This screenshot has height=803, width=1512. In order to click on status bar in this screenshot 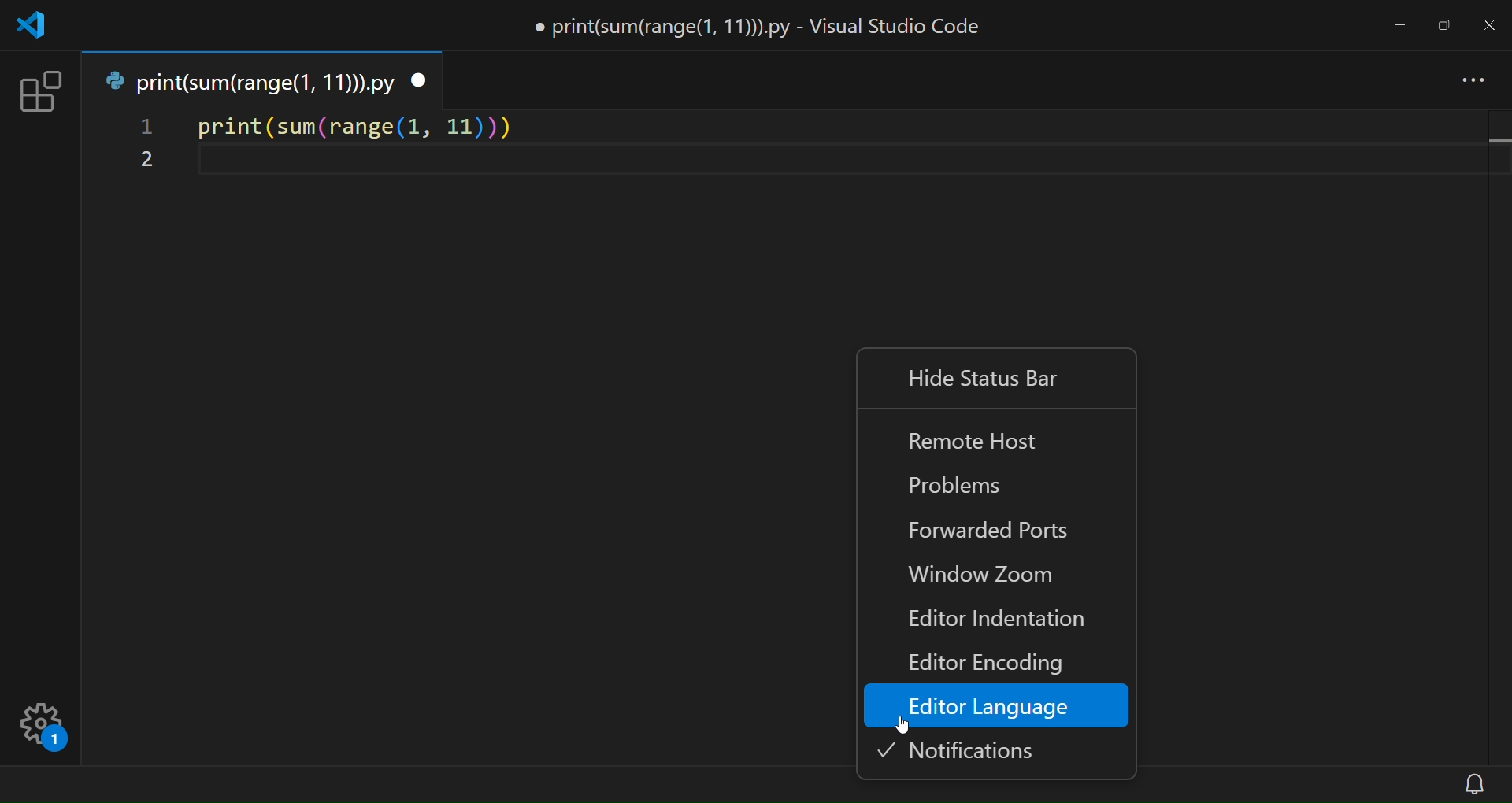, I will do `click(726, 786)`.